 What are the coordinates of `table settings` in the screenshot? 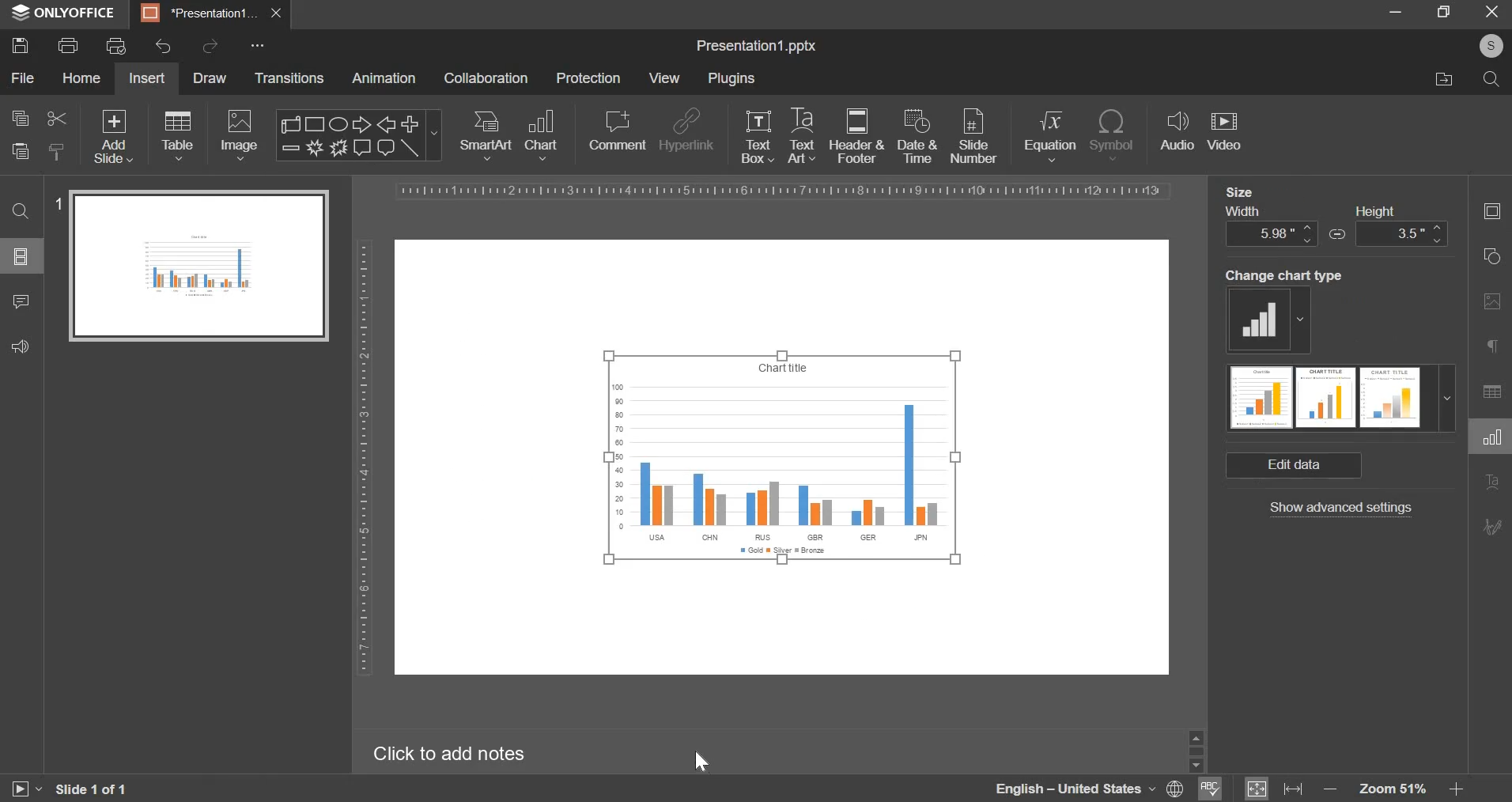 It's located at (1489, 394).